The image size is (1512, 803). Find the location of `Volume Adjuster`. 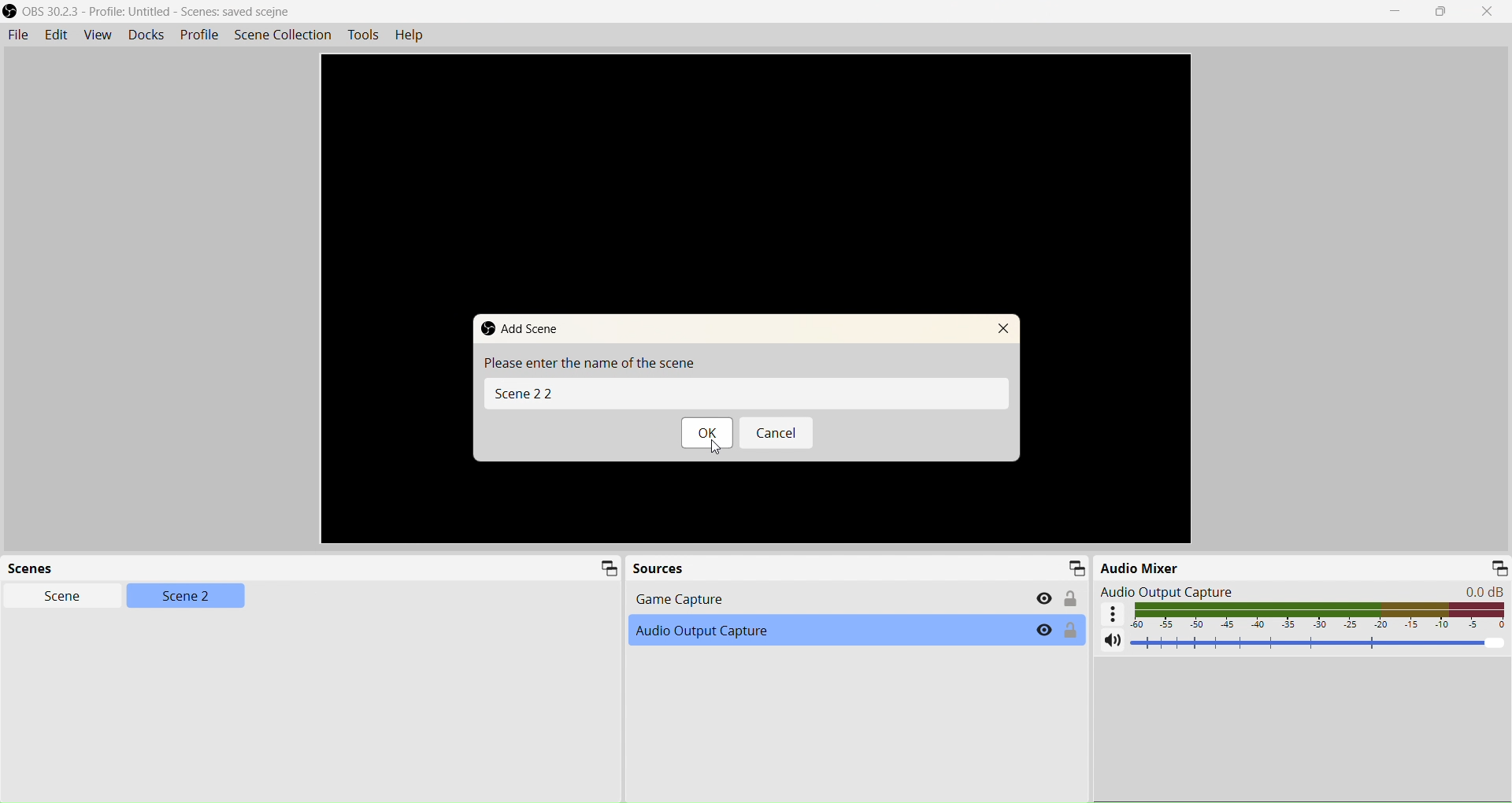

Volume Adjuster is located at coordinates (1321, 642).